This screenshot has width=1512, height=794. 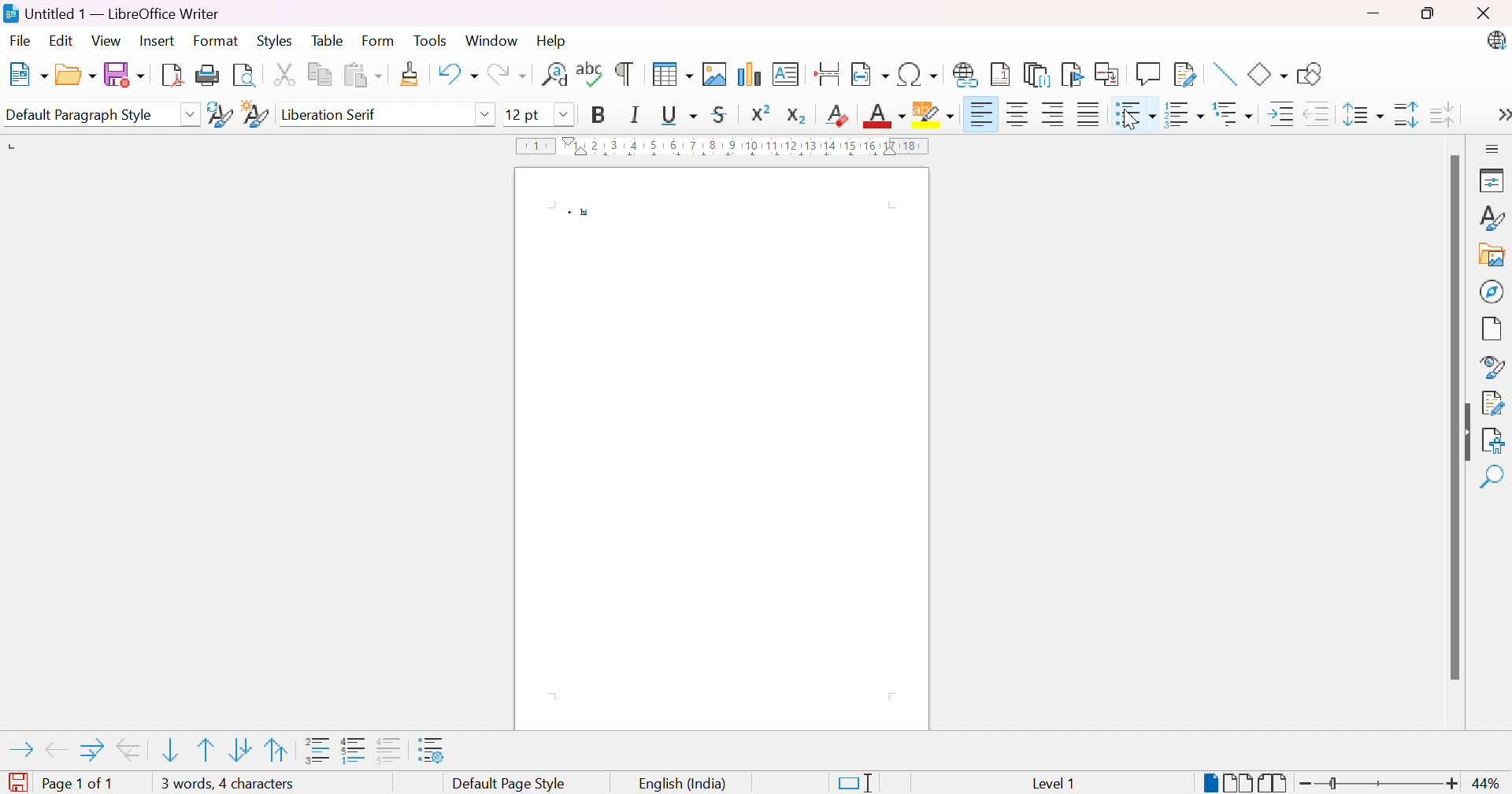 I want to click on Help, so click(x=556, y=42).